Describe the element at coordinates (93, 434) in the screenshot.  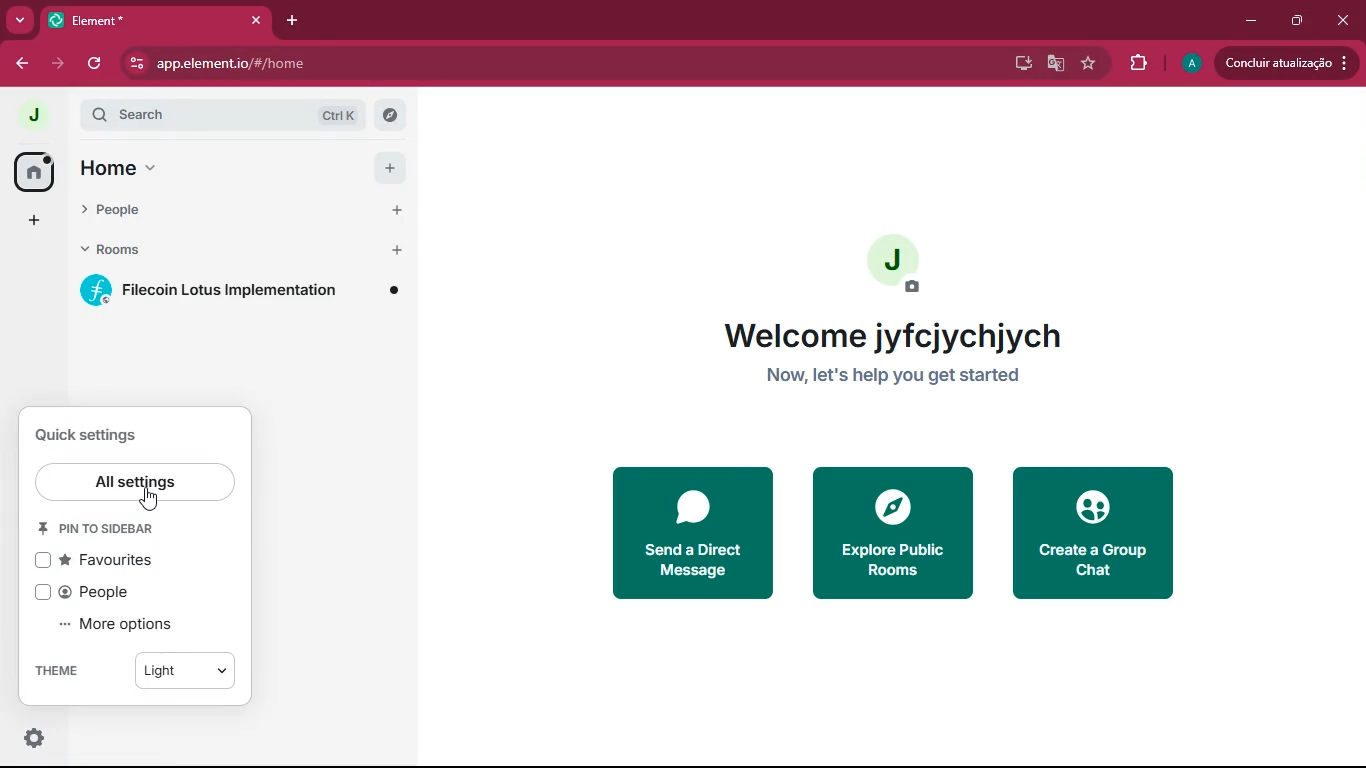
I see `quick settings` at that location.